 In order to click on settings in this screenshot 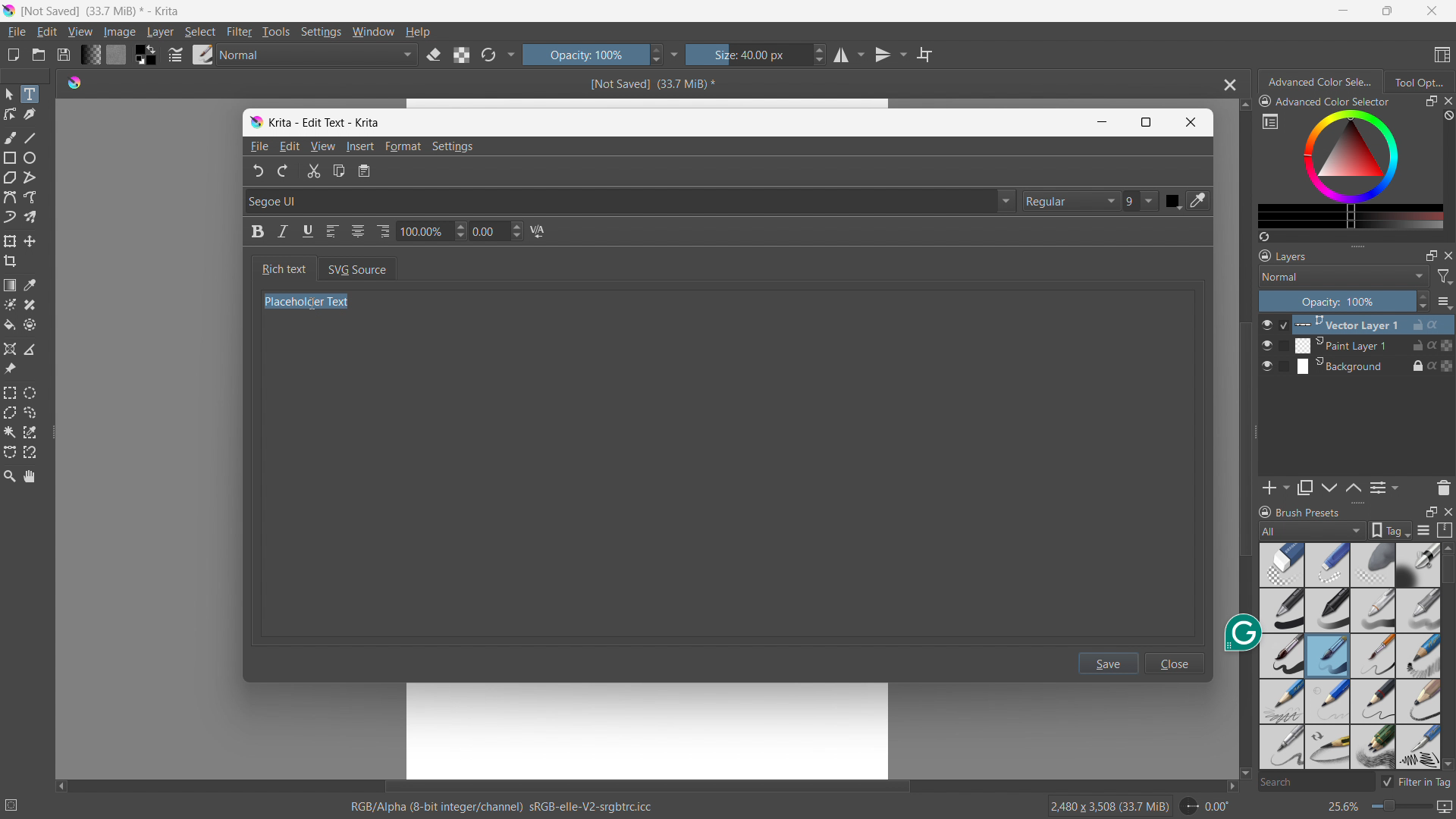, I will do `click(453, 147)`.